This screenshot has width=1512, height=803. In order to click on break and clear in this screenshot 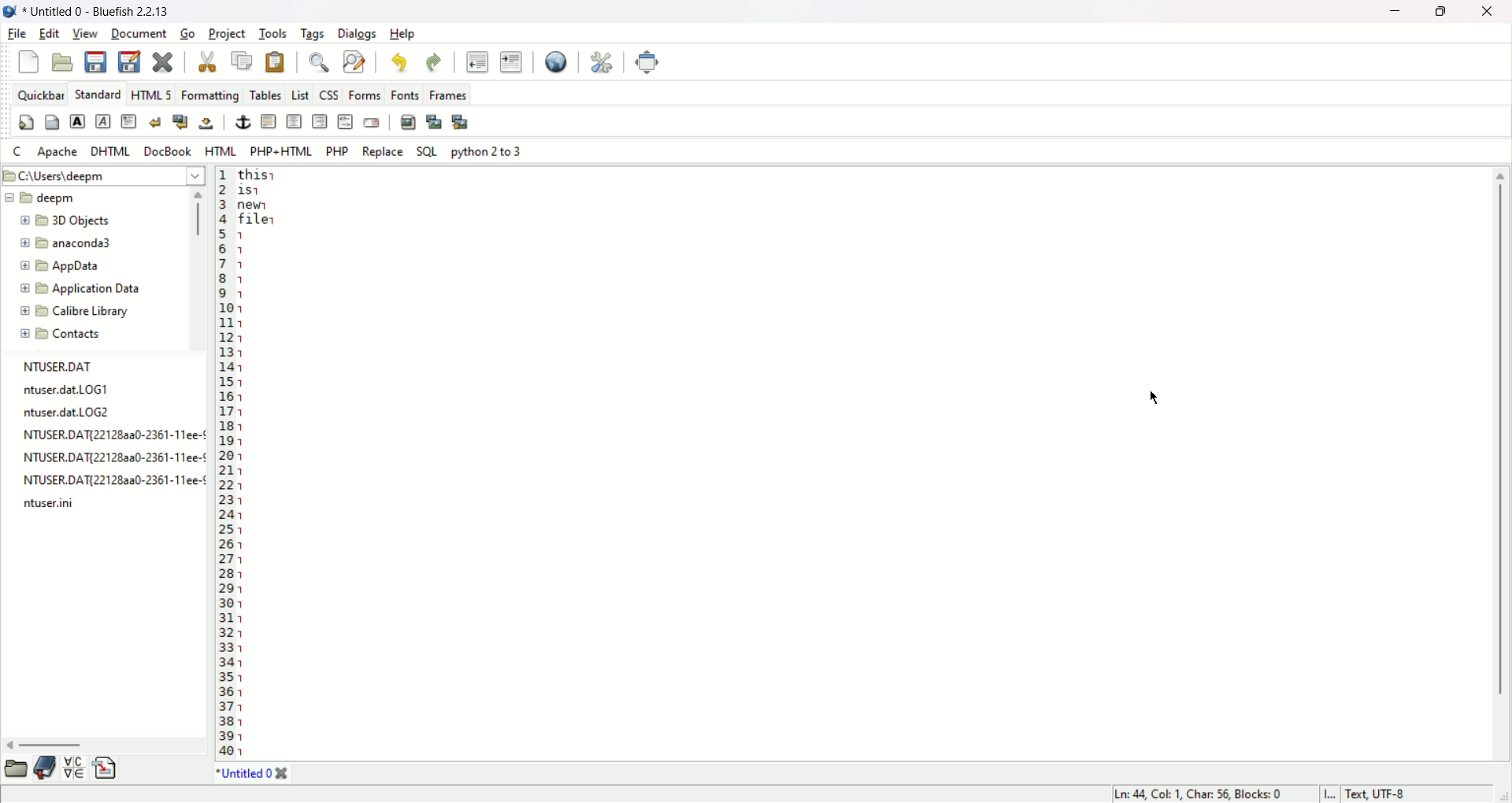, I will do `click(180, 122)`.